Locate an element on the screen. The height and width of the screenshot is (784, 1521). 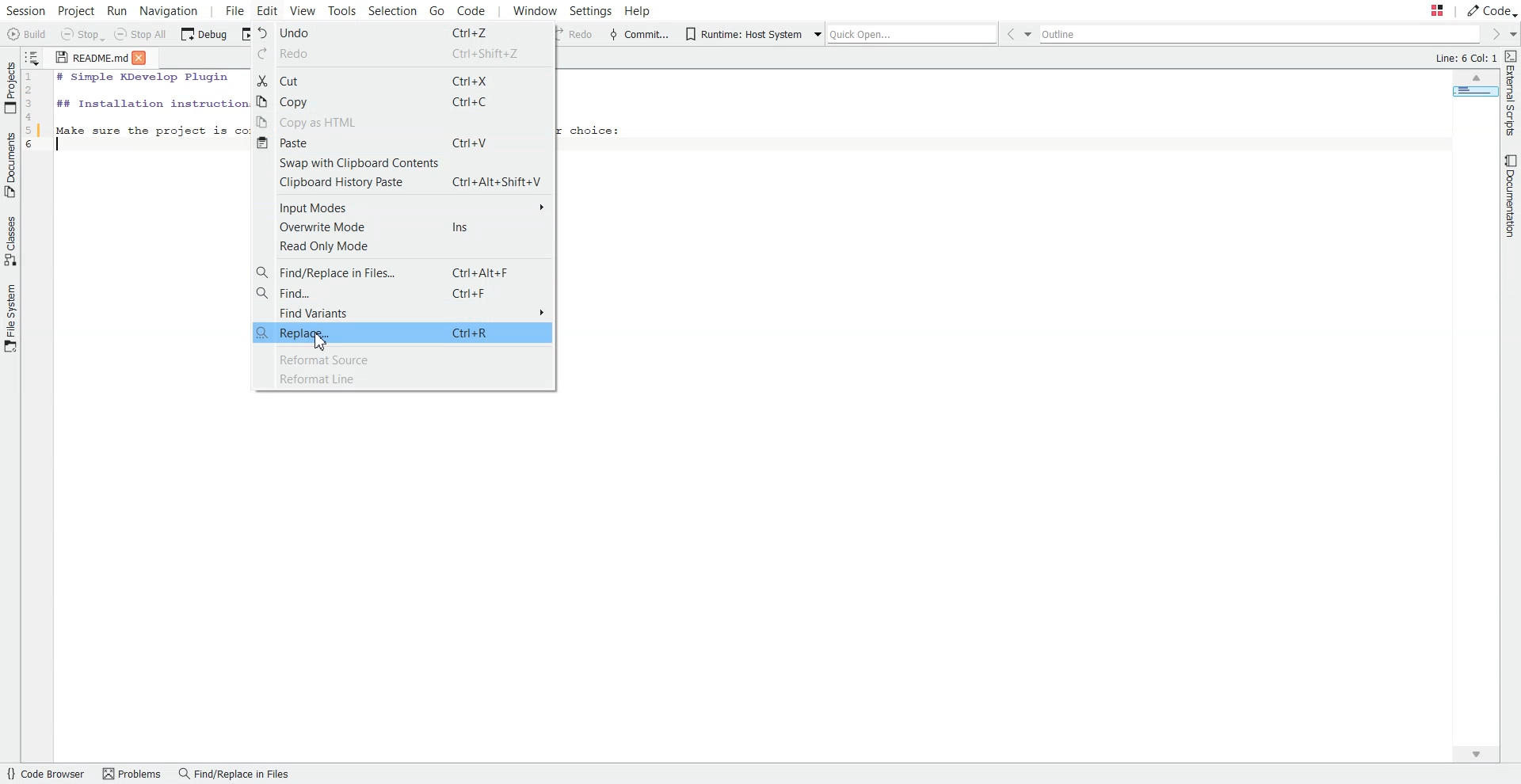
Copy as HTML is located at coordinates (403, 121).